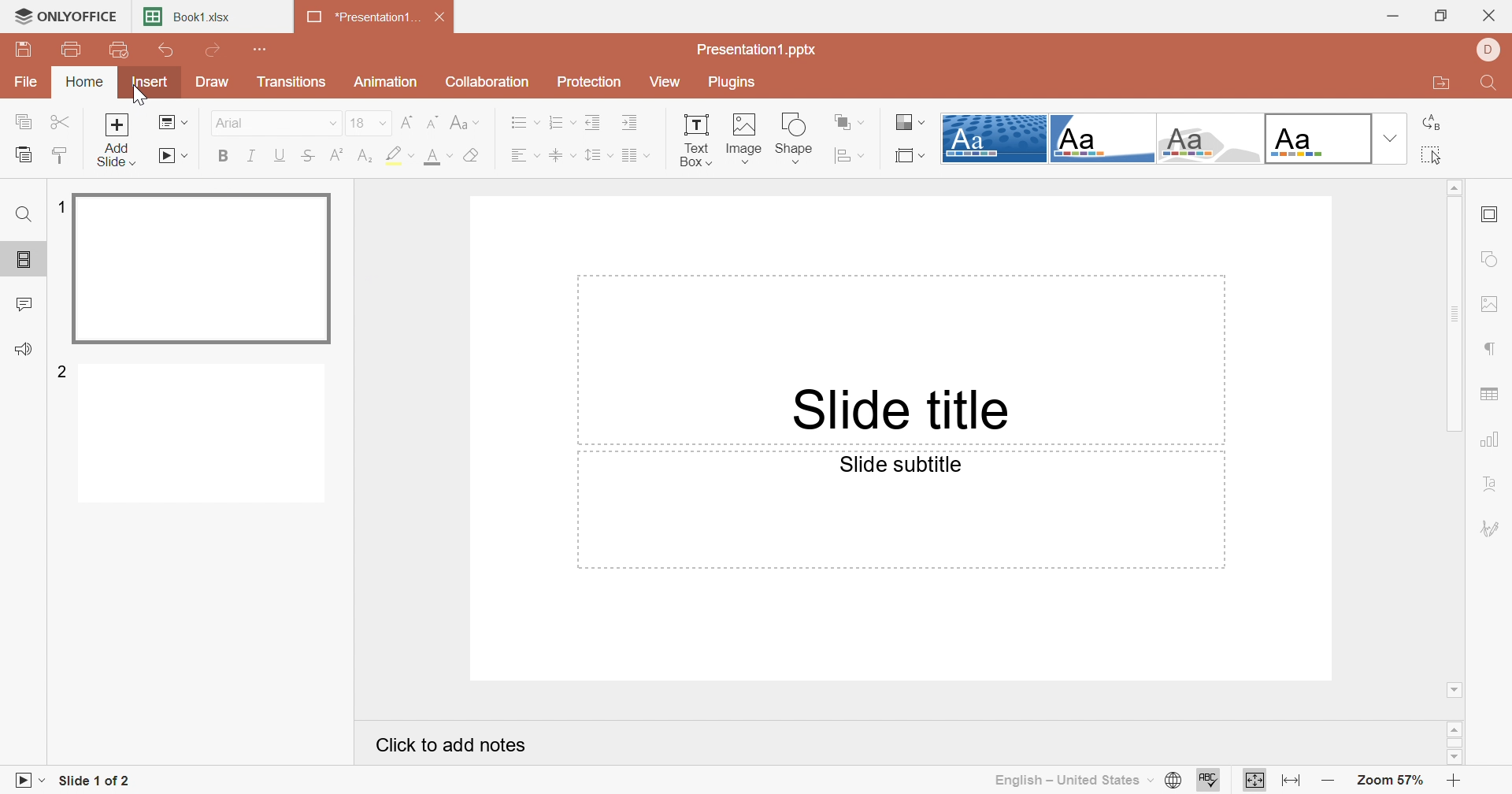 The image size is (1512, 794). What do you see at coordinates (1459, 315) in the screenshot?
I see `Scroll Bar` at bounding box center [1459, 315].